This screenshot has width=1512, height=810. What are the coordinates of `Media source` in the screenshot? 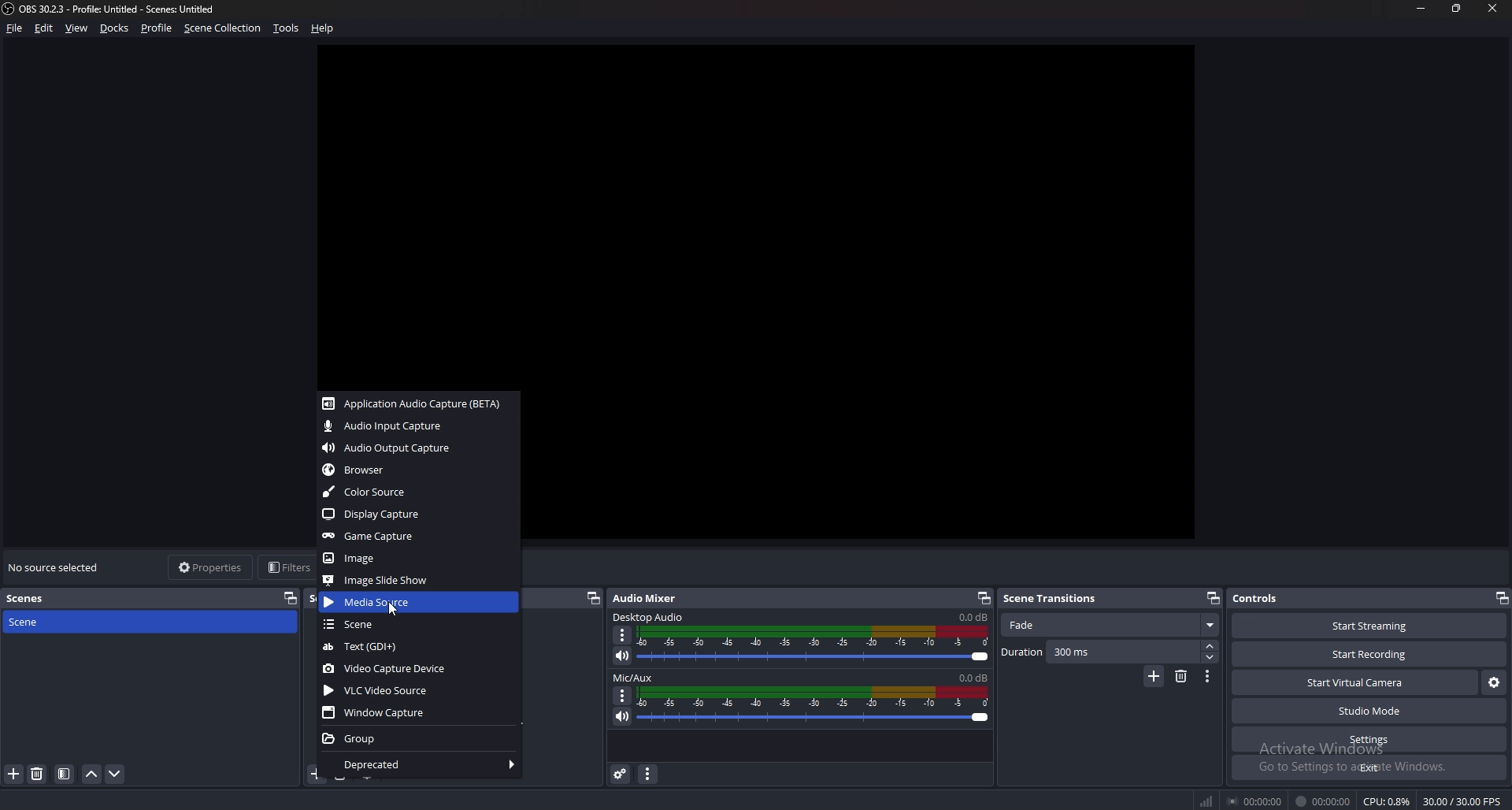 It's located at (419, 601).